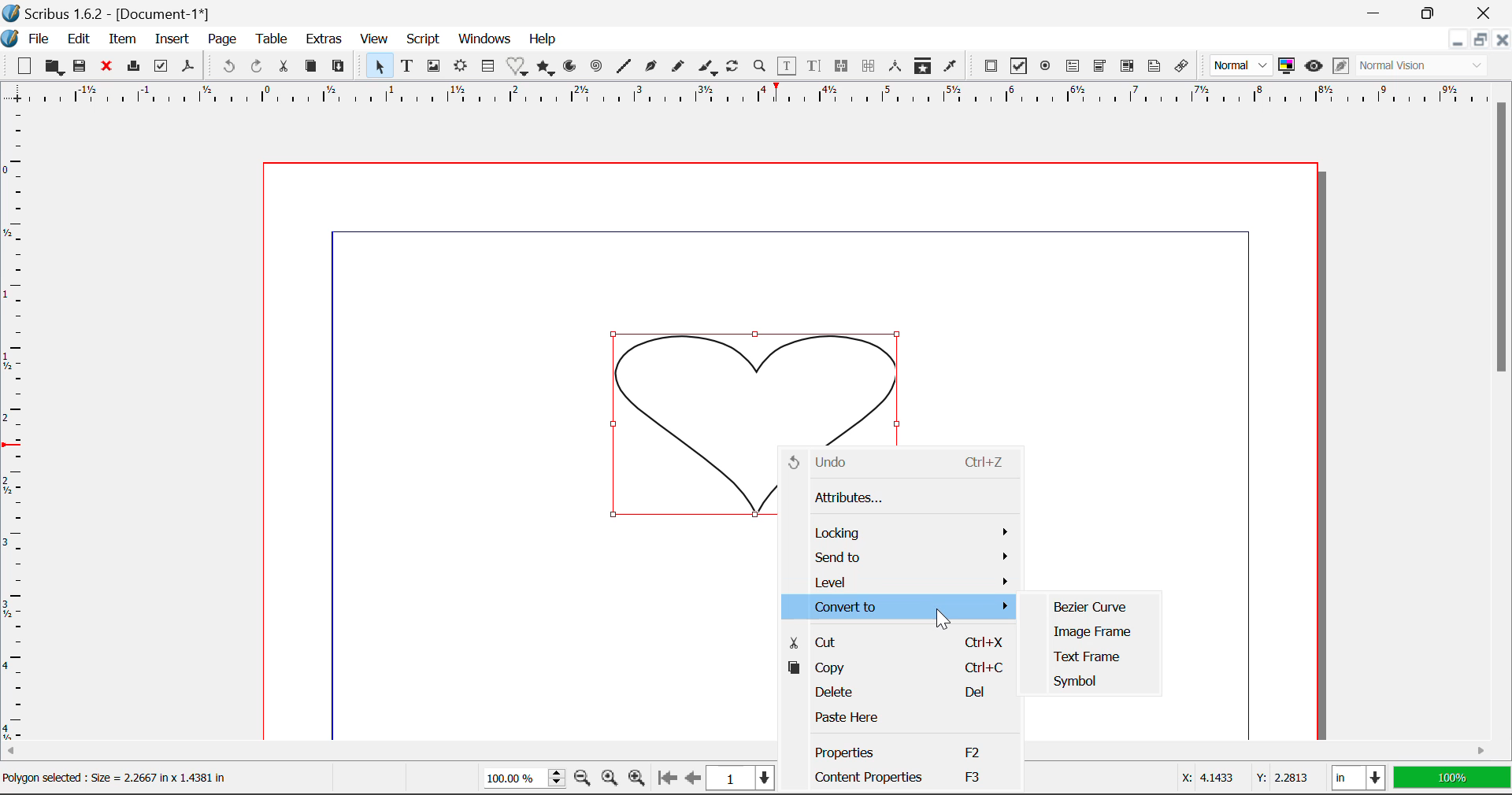  Describe the element at coordinates (1451, 779) in the screenshot. I see `100%` at that location.